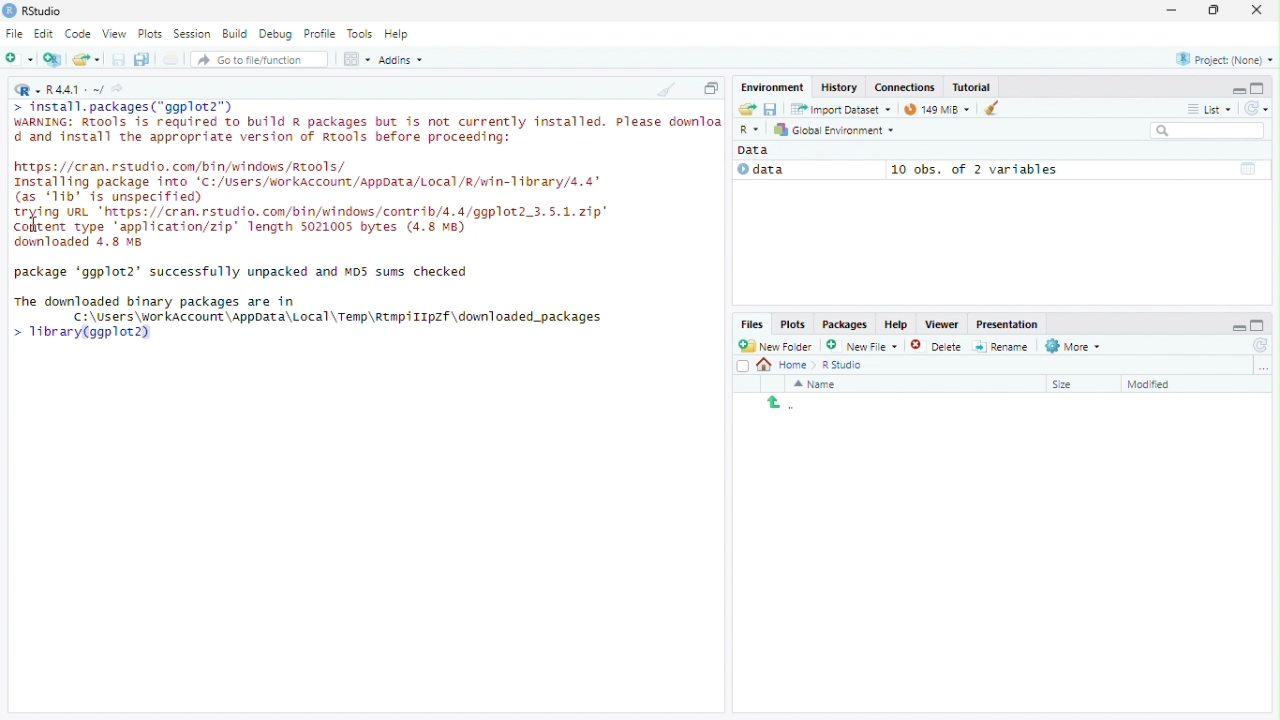 This screenshot has width=1280, height=720. Describe the element at coordinates (1256, 107) in the screenshot. I see `Refresh the list of objects` at that location.